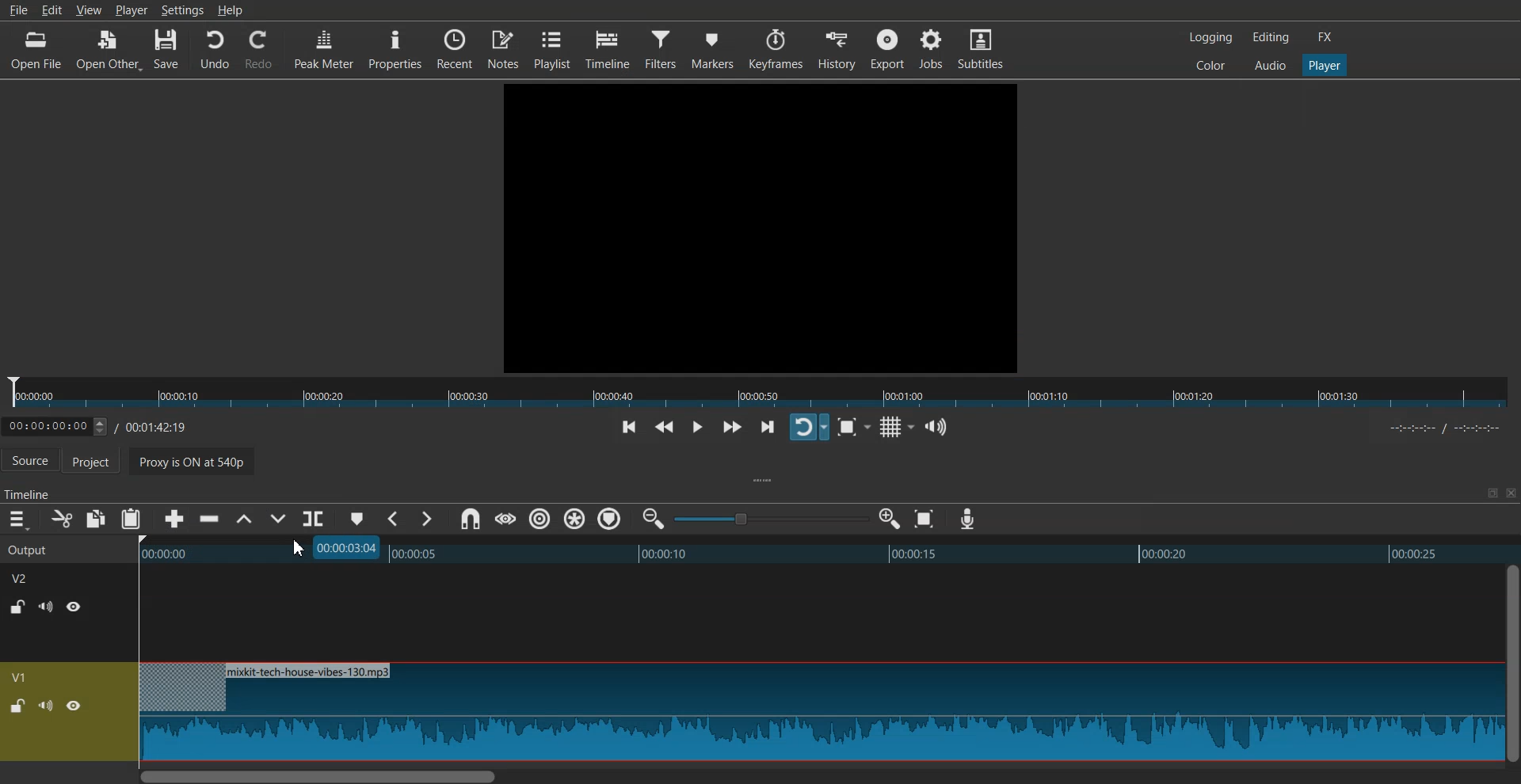 The image size is (1521, 784). What do you see at coordinates (769, 428) in the screenshot?
I see `Skip to next point` at bounding box center [769, 428].